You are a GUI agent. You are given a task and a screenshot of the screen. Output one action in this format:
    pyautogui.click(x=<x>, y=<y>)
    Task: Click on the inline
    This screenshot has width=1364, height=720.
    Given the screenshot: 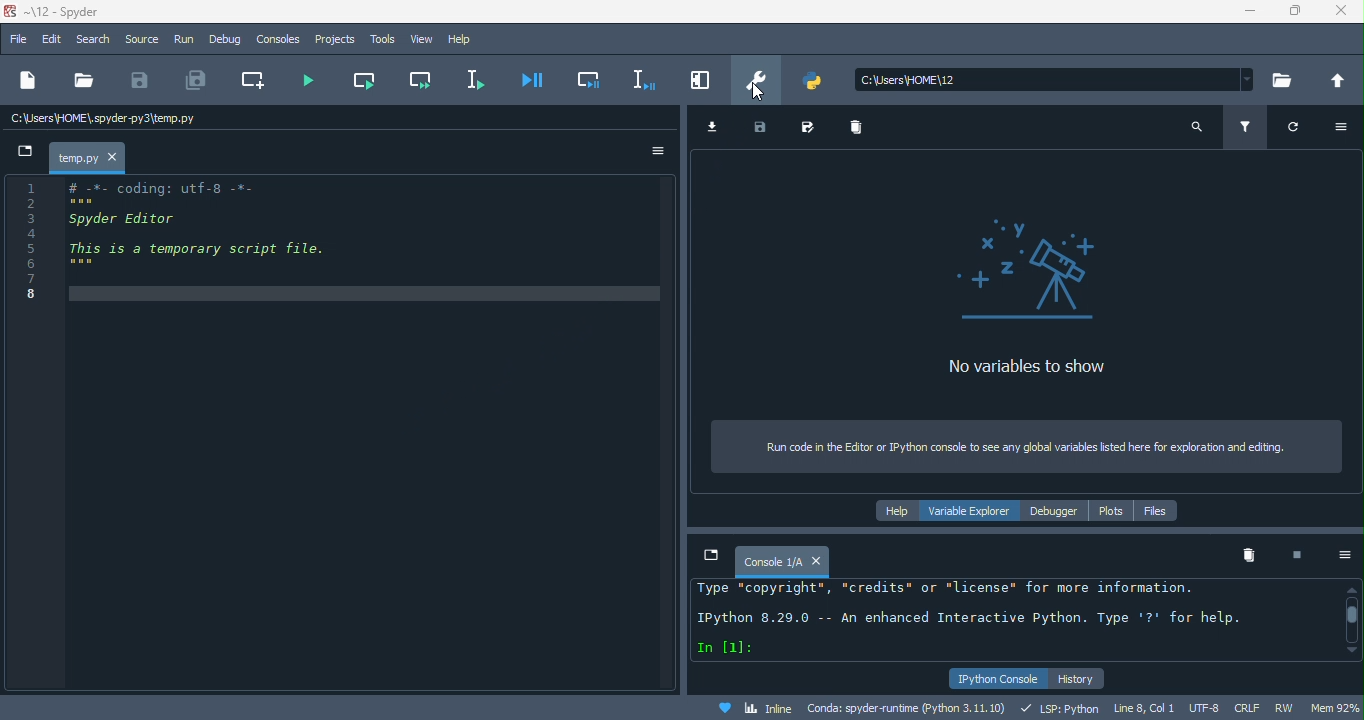 What is the action you would take?
    pyautogui.click(x=757, y=709)
    